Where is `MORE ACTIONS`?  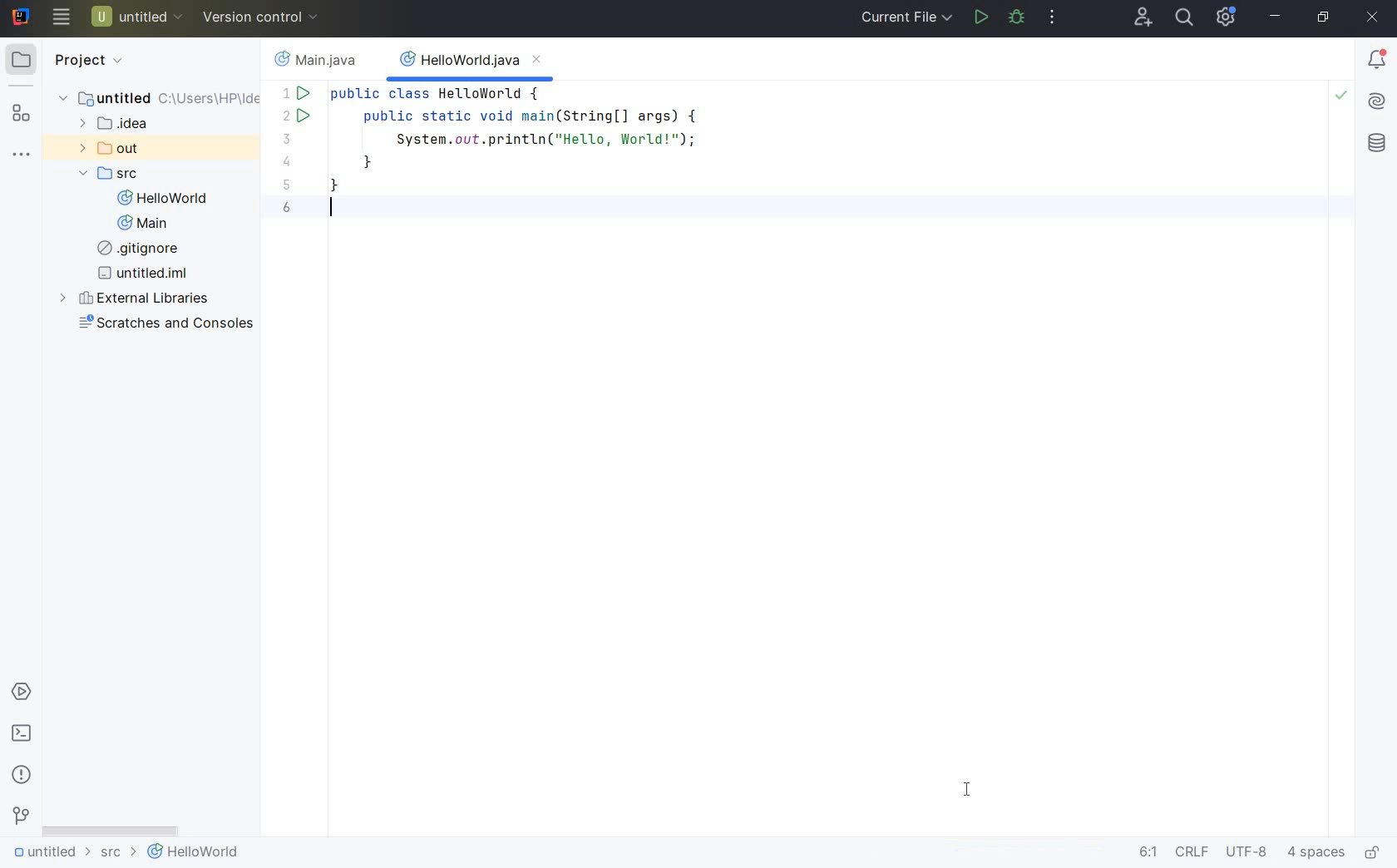
MORE ACTIONS is located at coordinates (1054, 19).